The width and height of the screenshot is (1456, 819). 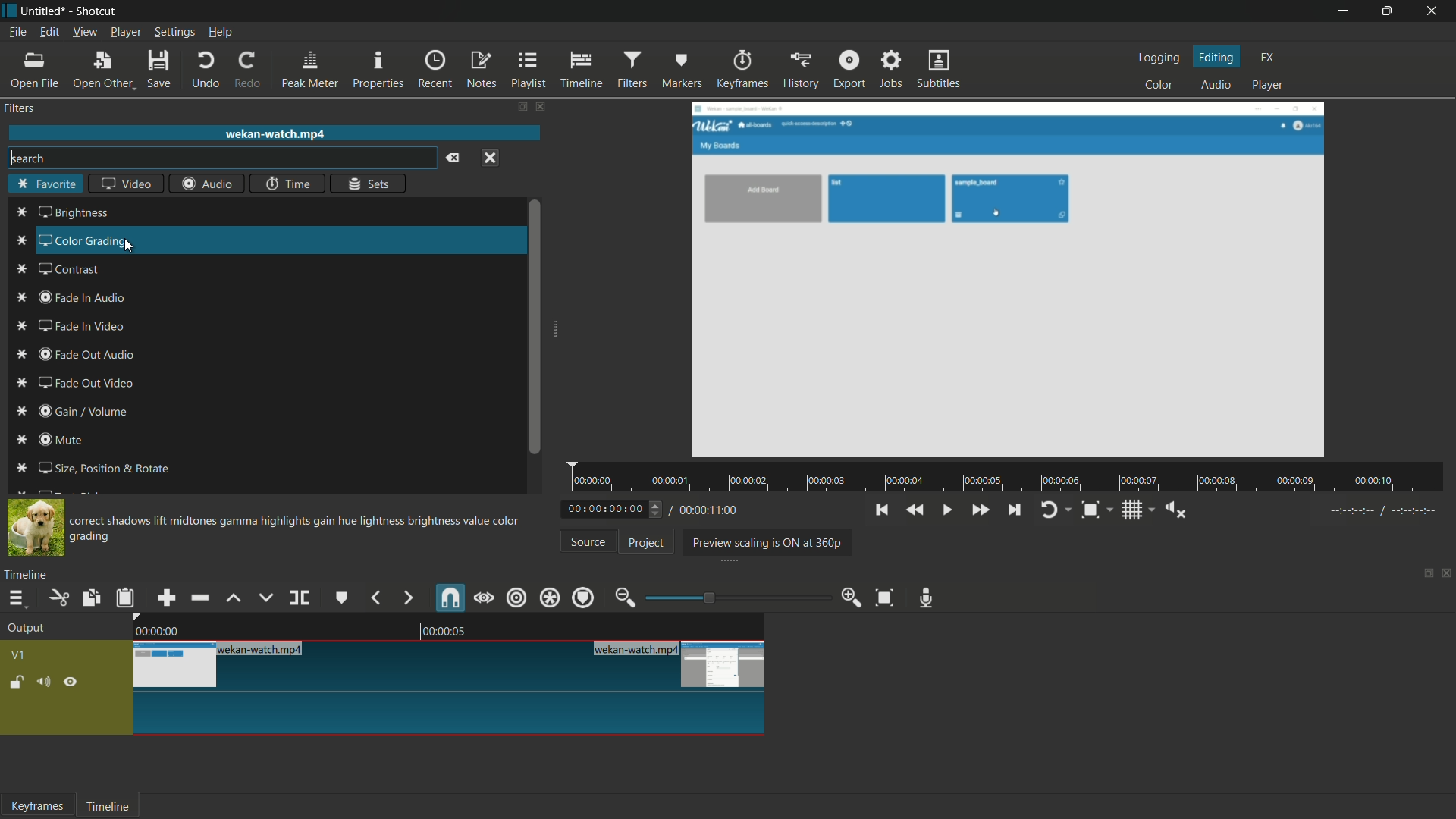 I want to click on gain/volume, so click(x=74, y=411).